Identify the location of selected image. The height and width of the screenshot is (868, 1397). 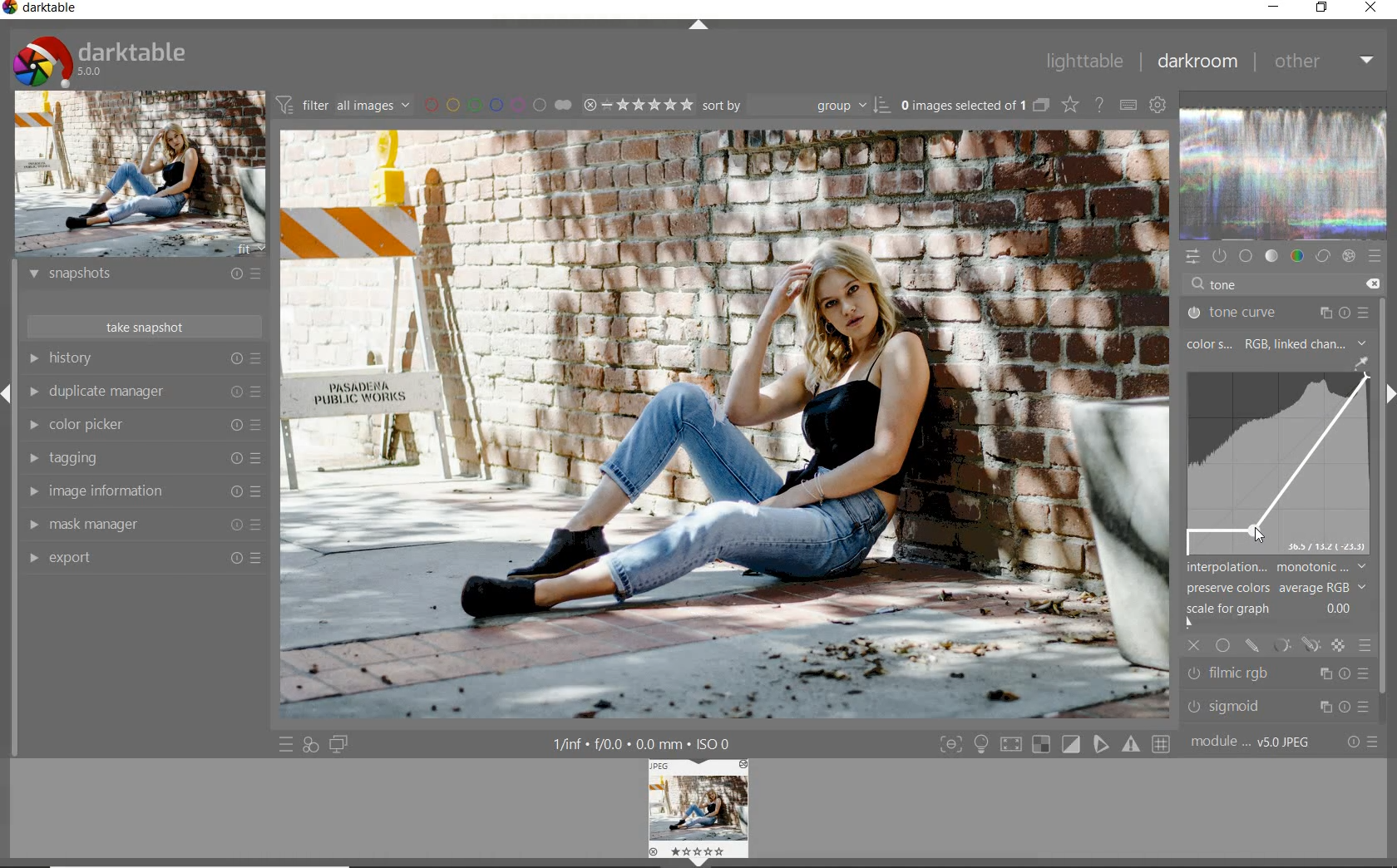
(725, 427).